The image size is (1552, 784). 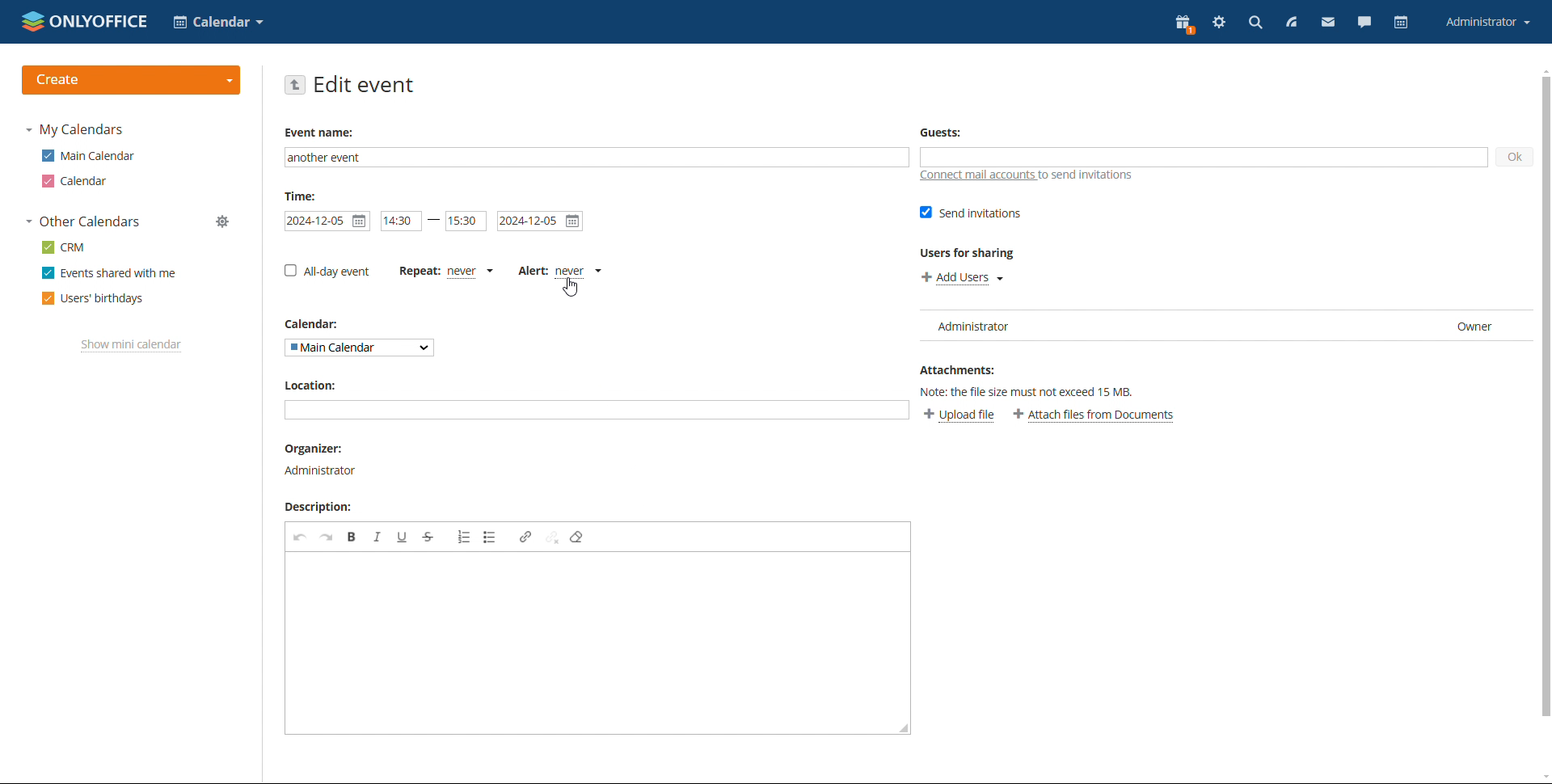 What do you see at coordinates (597, 410) in the screenshot?
I see `add location` at bounding box center [597, 410].